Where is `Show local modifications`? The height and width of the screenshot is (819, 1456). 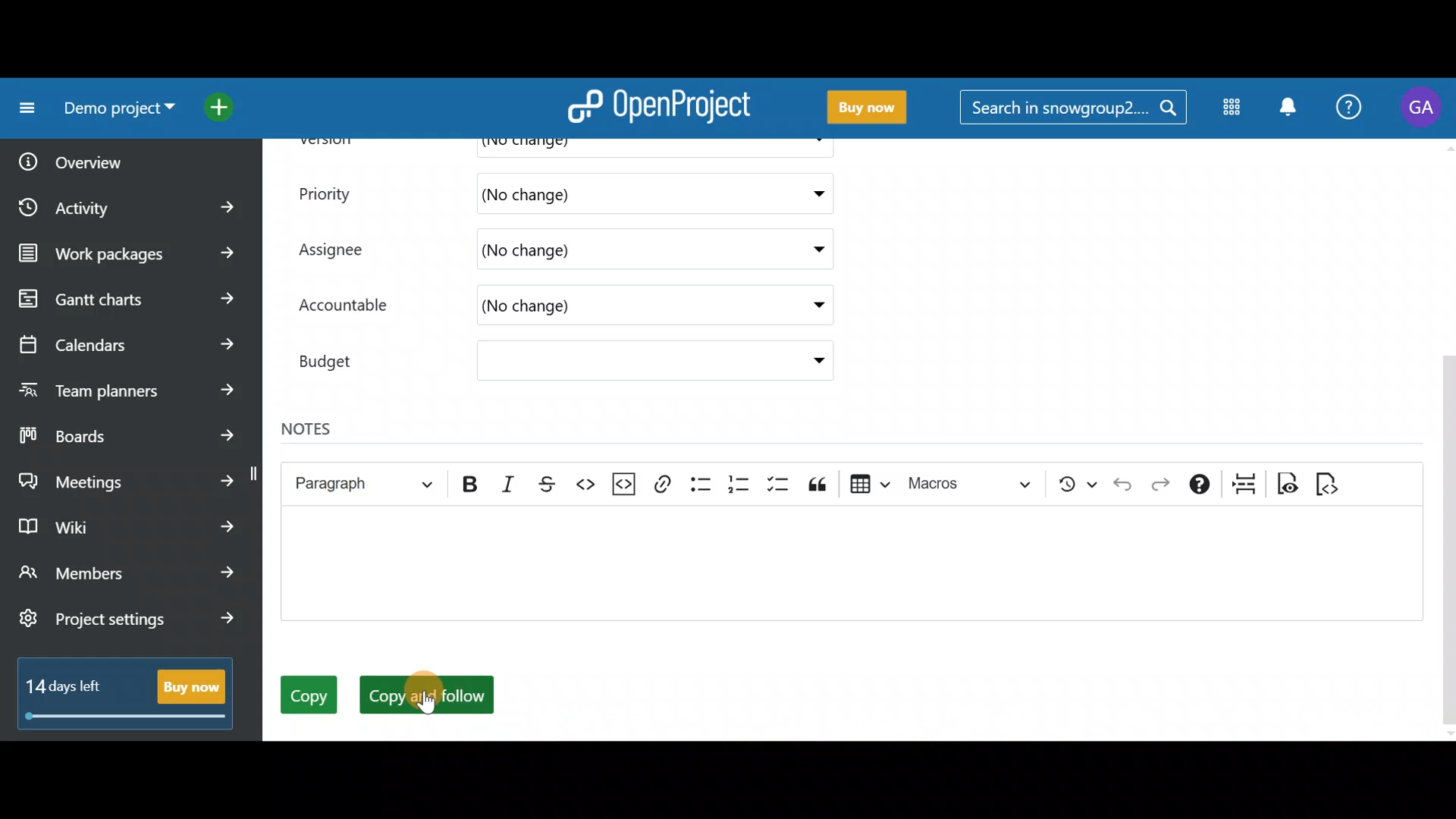
Show local modifications is located at coordinates (1078, 490).